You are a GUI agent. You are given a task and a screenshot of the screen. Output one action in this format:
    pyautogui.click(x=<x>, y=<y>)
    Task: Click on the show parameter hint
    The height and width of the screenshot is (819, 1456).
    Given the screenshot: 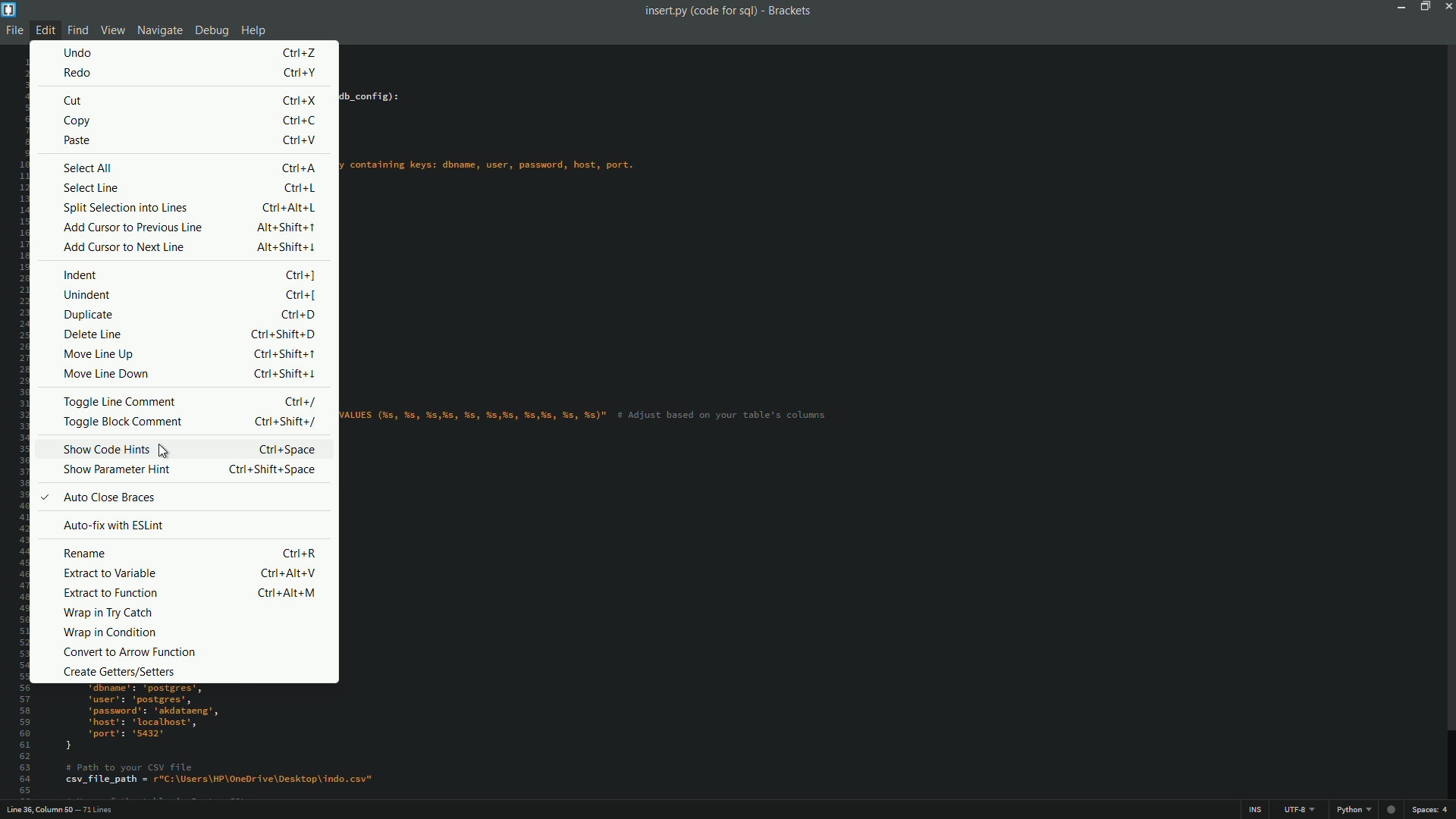 What is the action you would take?
    pyautogui.click(x=115, y=469)
    